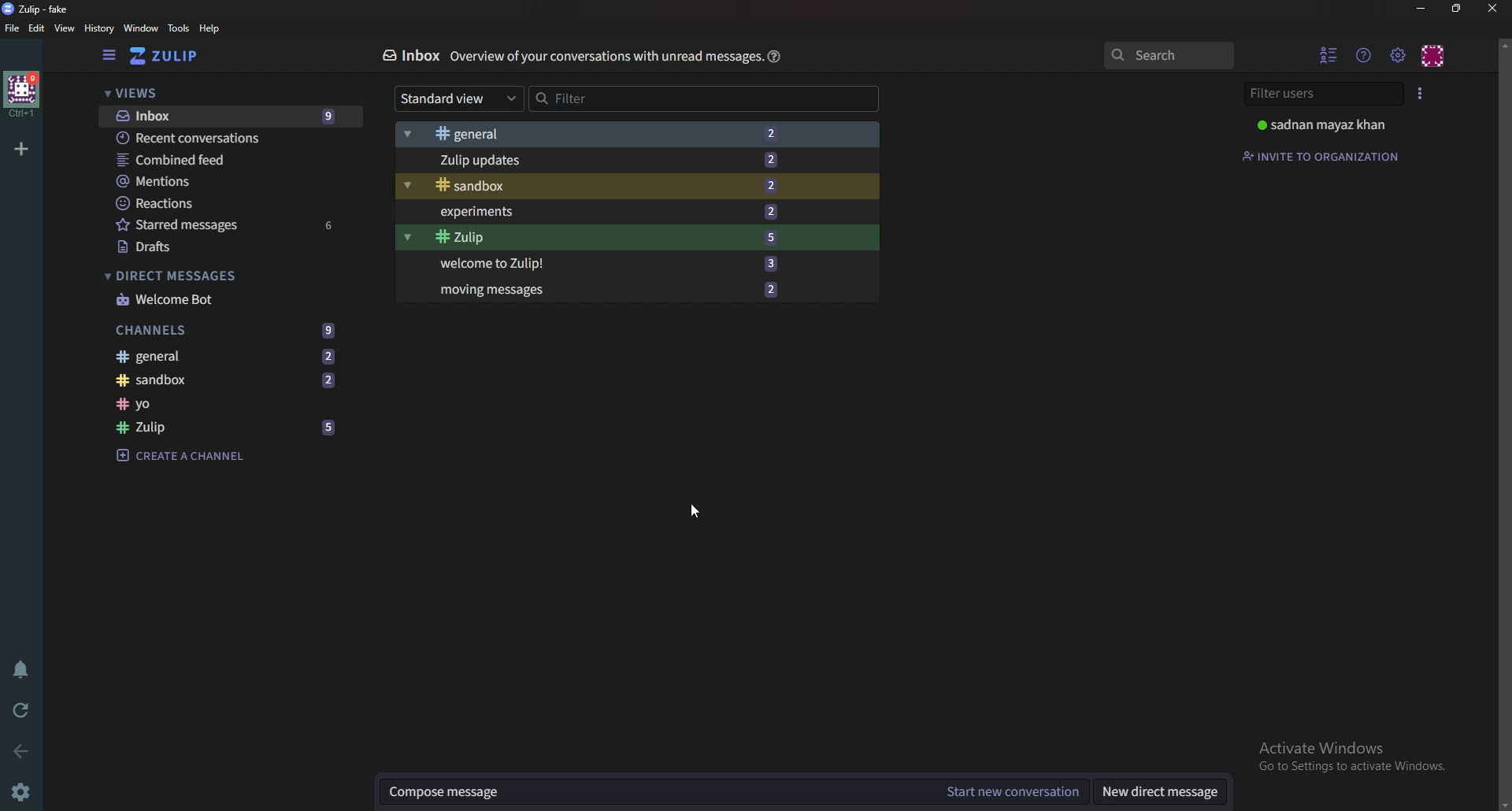 Image resolution: width=1512 pixels, height=811 pixels. I want to click on Sandbox, so click(619, 186).